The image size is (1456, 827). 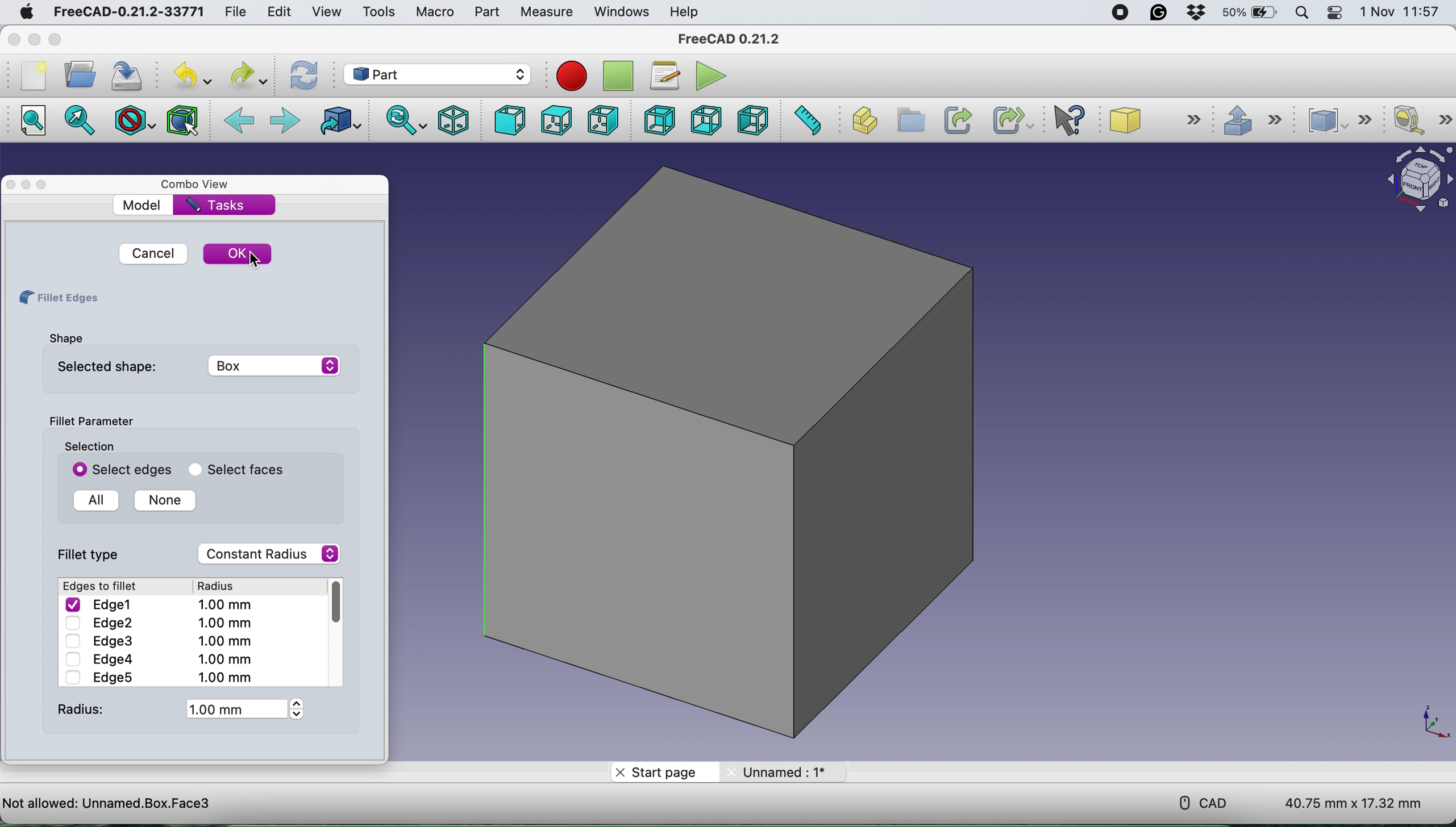 What do you see at coordinates (225, 586) in the screenshot?
I see `Radius` at bounding box center [225, 586].